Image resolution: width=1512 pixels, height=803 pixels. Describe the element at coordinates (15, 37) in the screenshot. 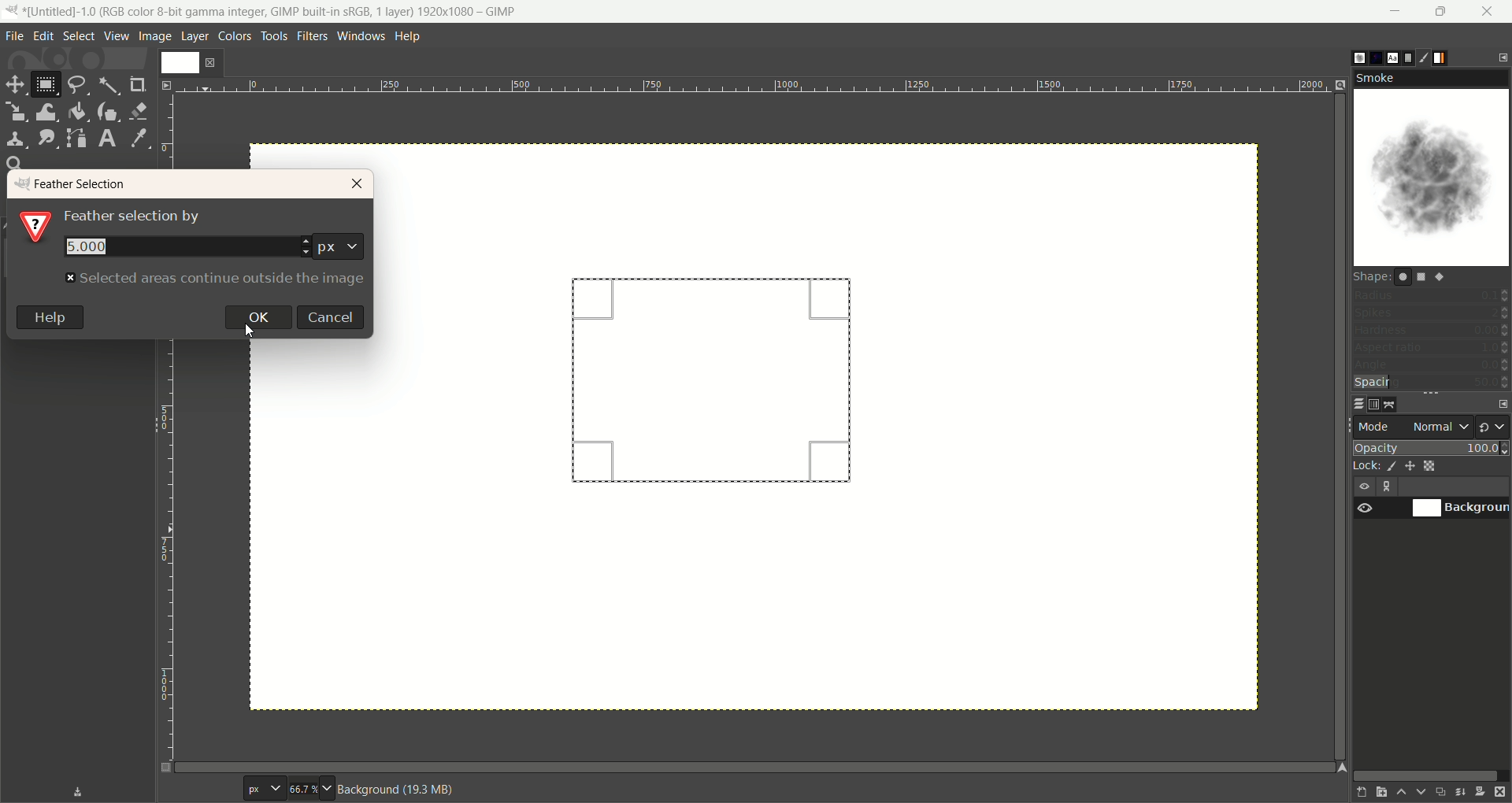

I see `file` at that location.